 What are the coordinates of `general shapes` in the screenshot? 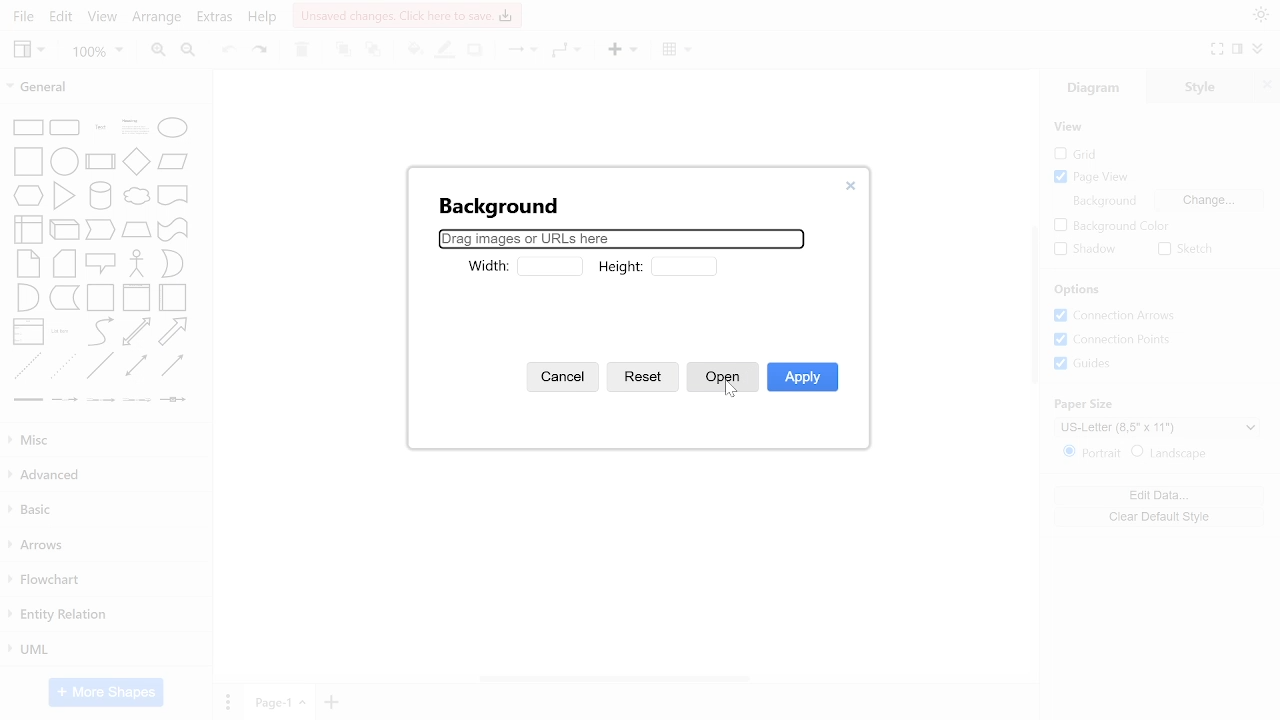 It's located at (170, 366).